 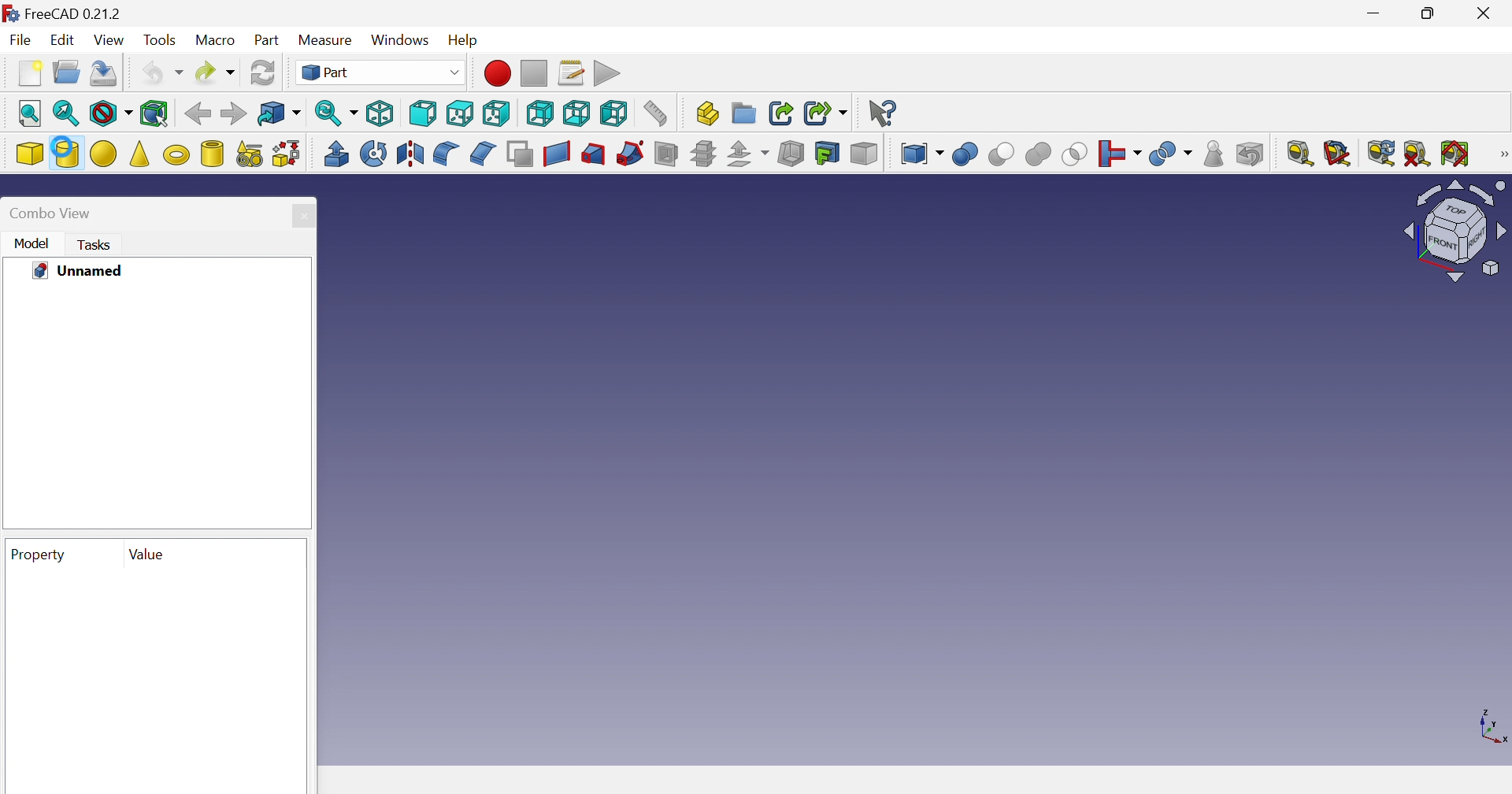 What do you see at coordinates (112, 40) in the screenshot?
I see `View` at bounding box center [112, 40].